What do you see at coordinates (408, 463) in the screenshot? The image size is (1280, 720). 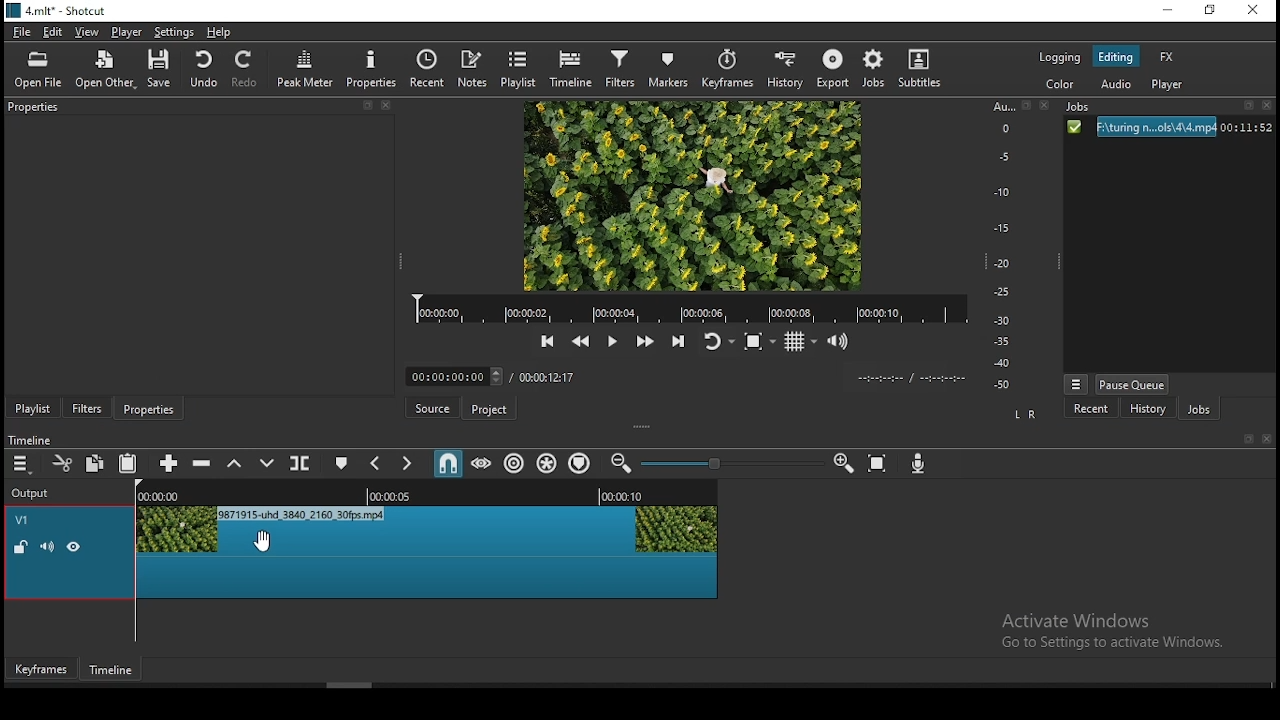 I see `next marker` at bounding box center [408, 463].